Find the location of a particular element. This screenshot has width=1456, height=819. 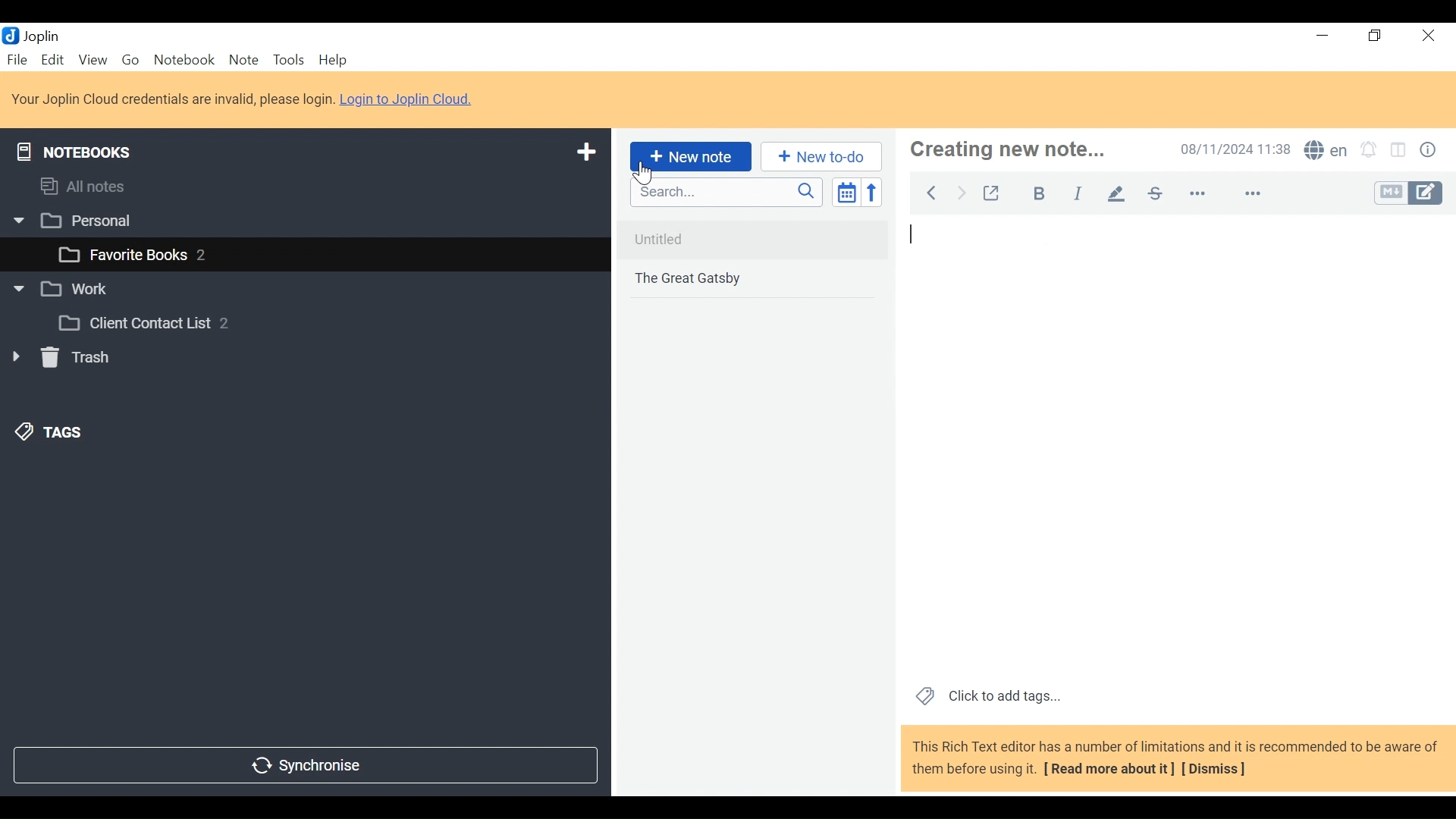

Back is located at coordinates (964, 193).